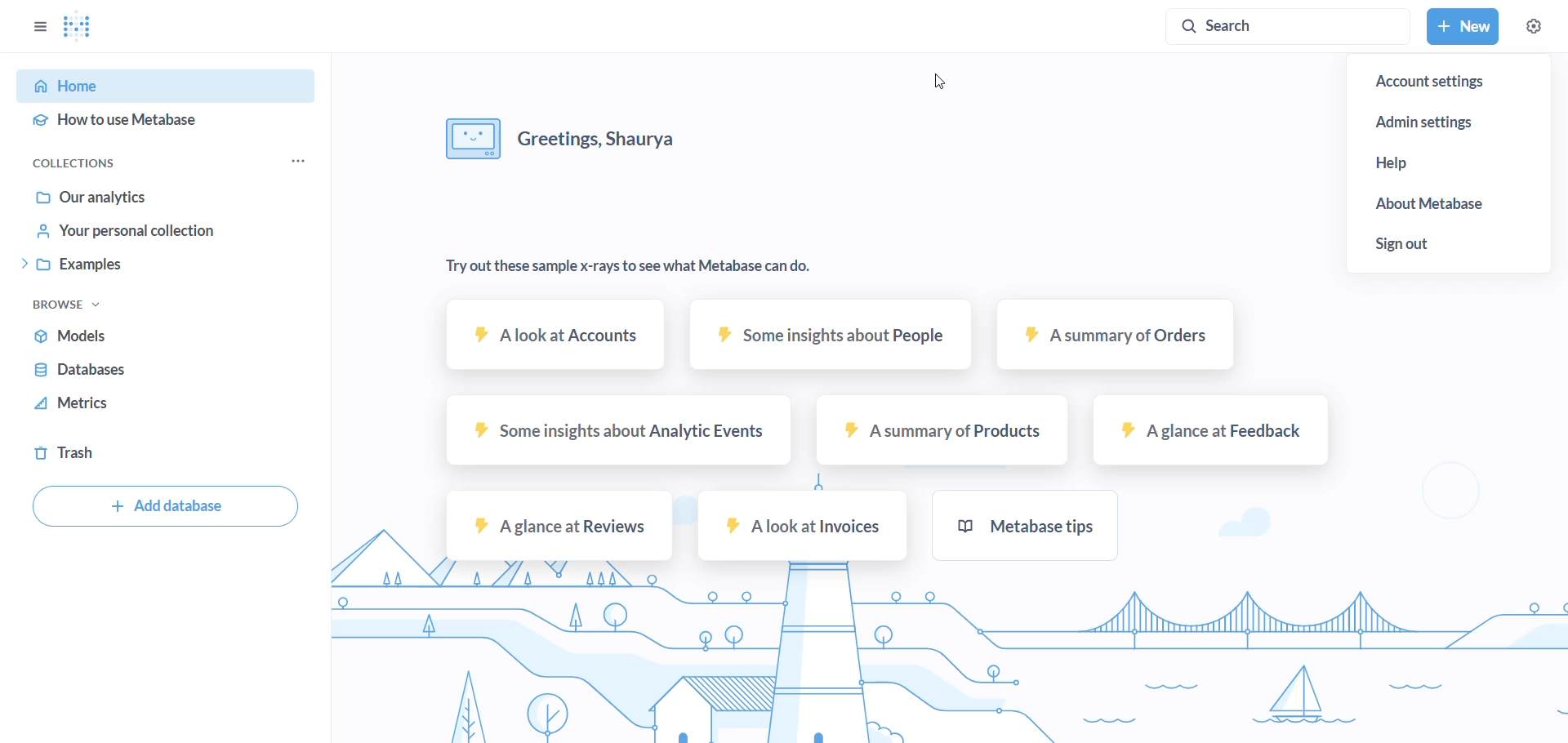 Image resolution: width=1568 pixels, height=743 pixels. I want to click on search button, so click(1276, 26).